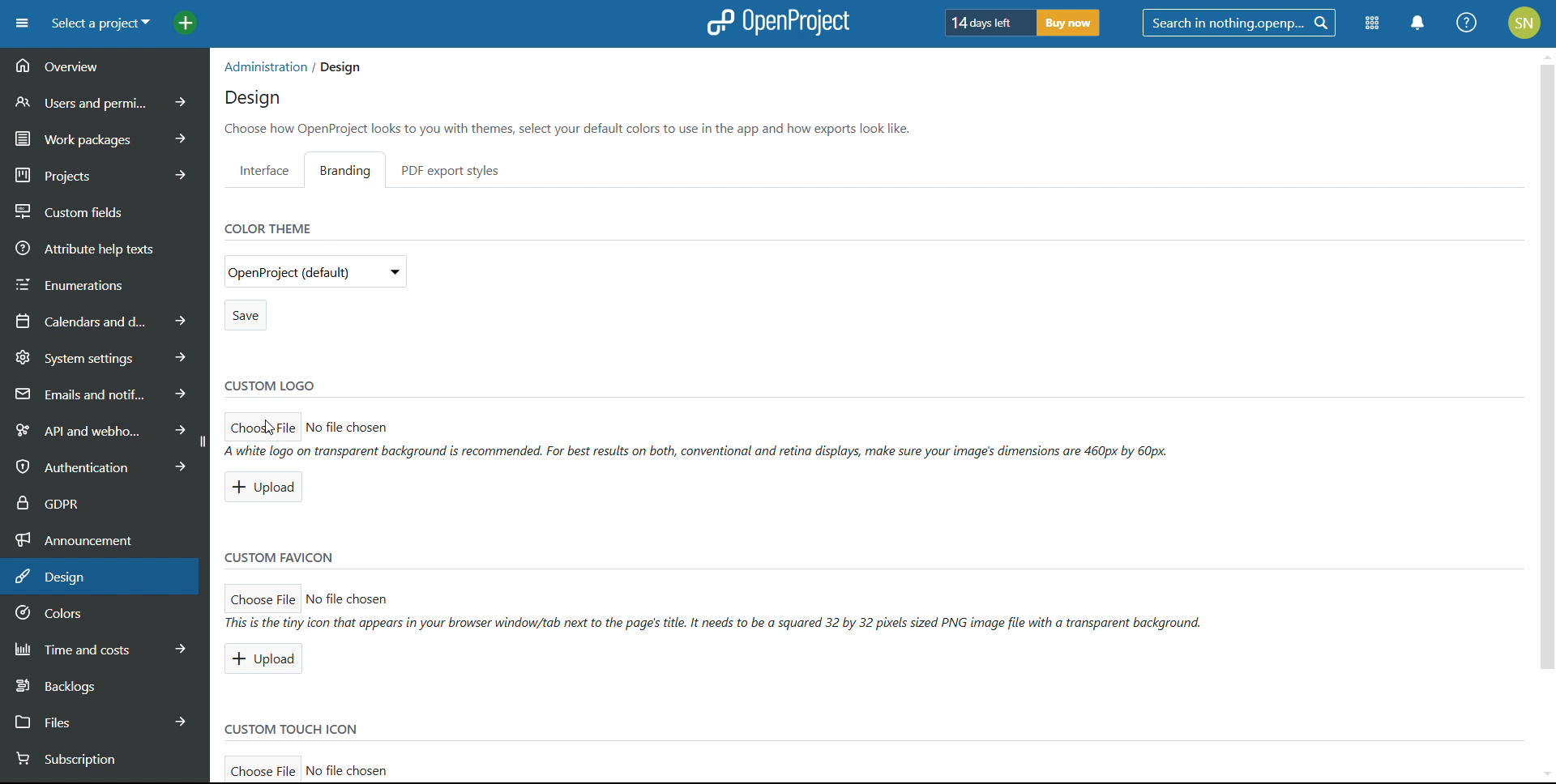  I want to click on / Design, so click(337, 68).